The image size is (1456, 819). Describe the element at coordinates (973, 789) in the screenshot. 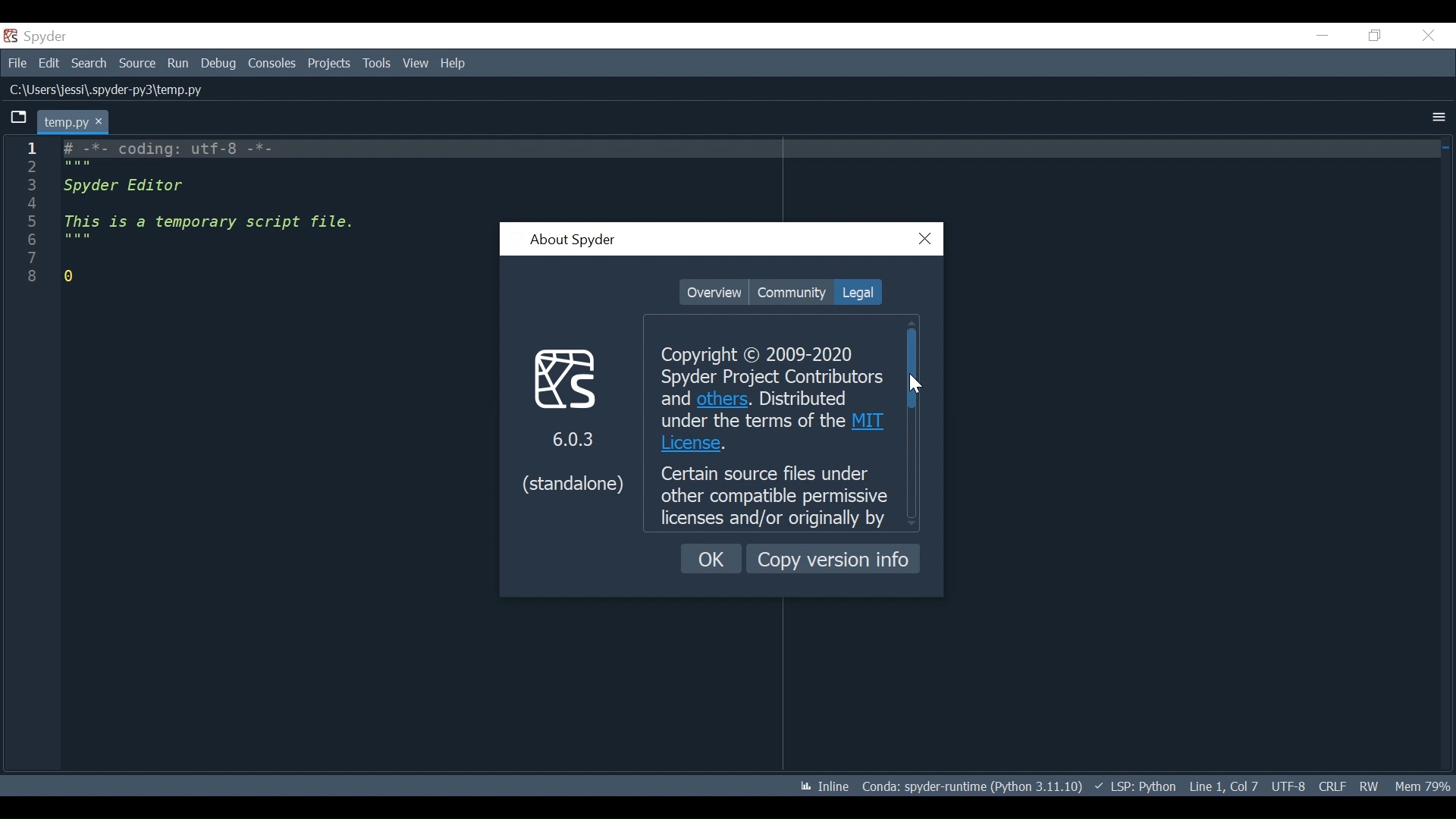

I see `Conda: spyder-runtime (Python 3.11.10)` at that location.